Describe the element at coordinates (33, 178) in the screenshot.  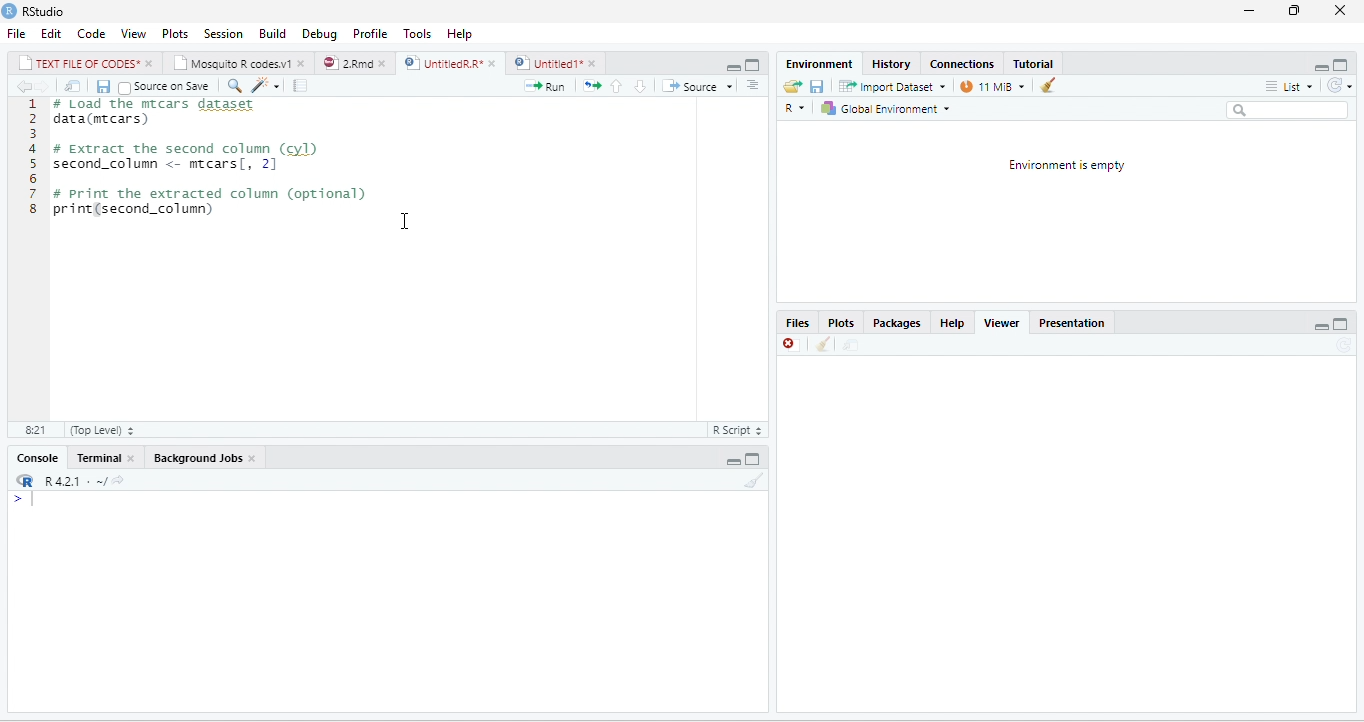
I see `6` at that location.